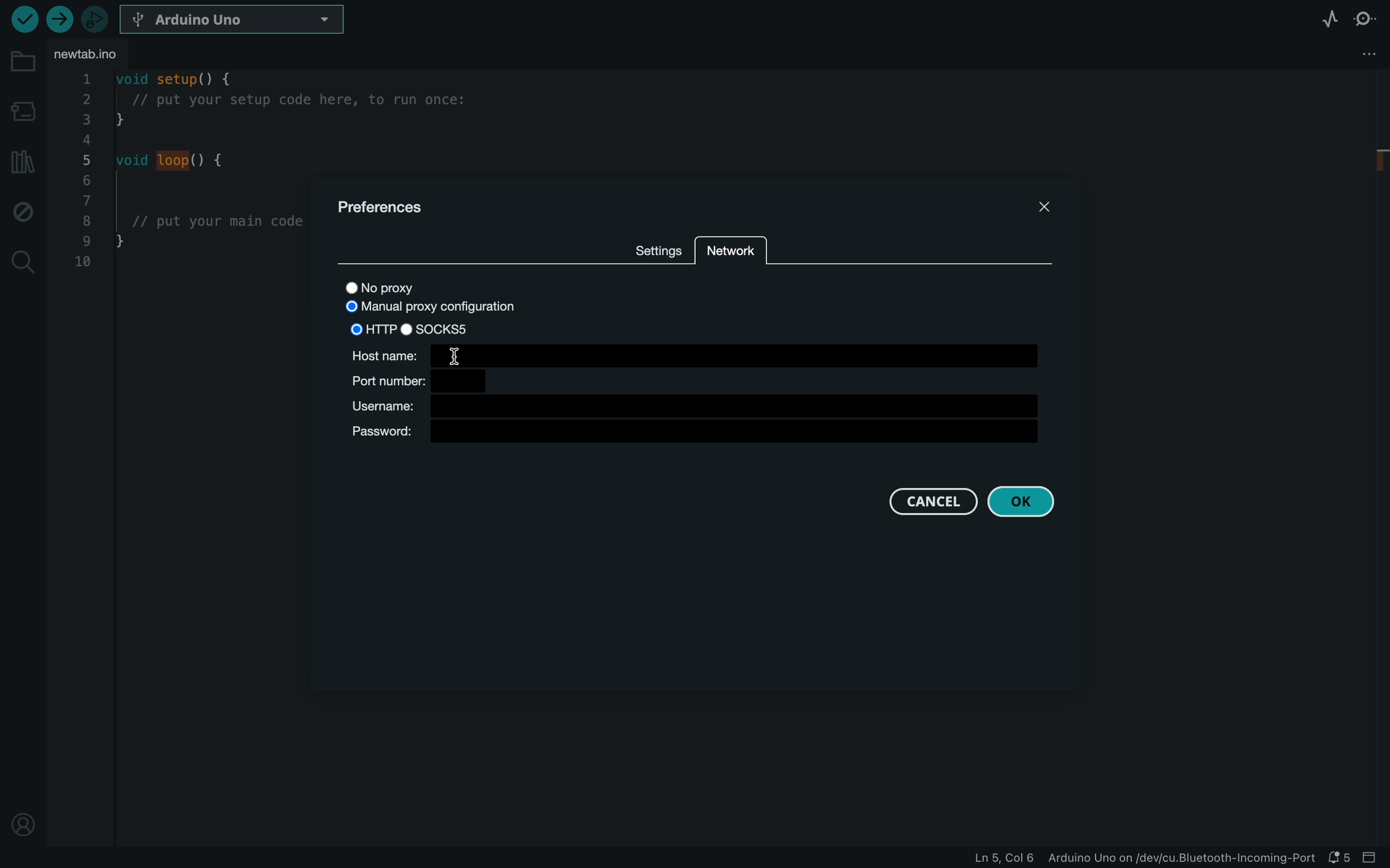 Image resolution: width=1390 pixels, height=868 pixels. What do you see at coordinates (1041, 206) in the screenshot?
I see `close` at bounding box center [1041, 206].